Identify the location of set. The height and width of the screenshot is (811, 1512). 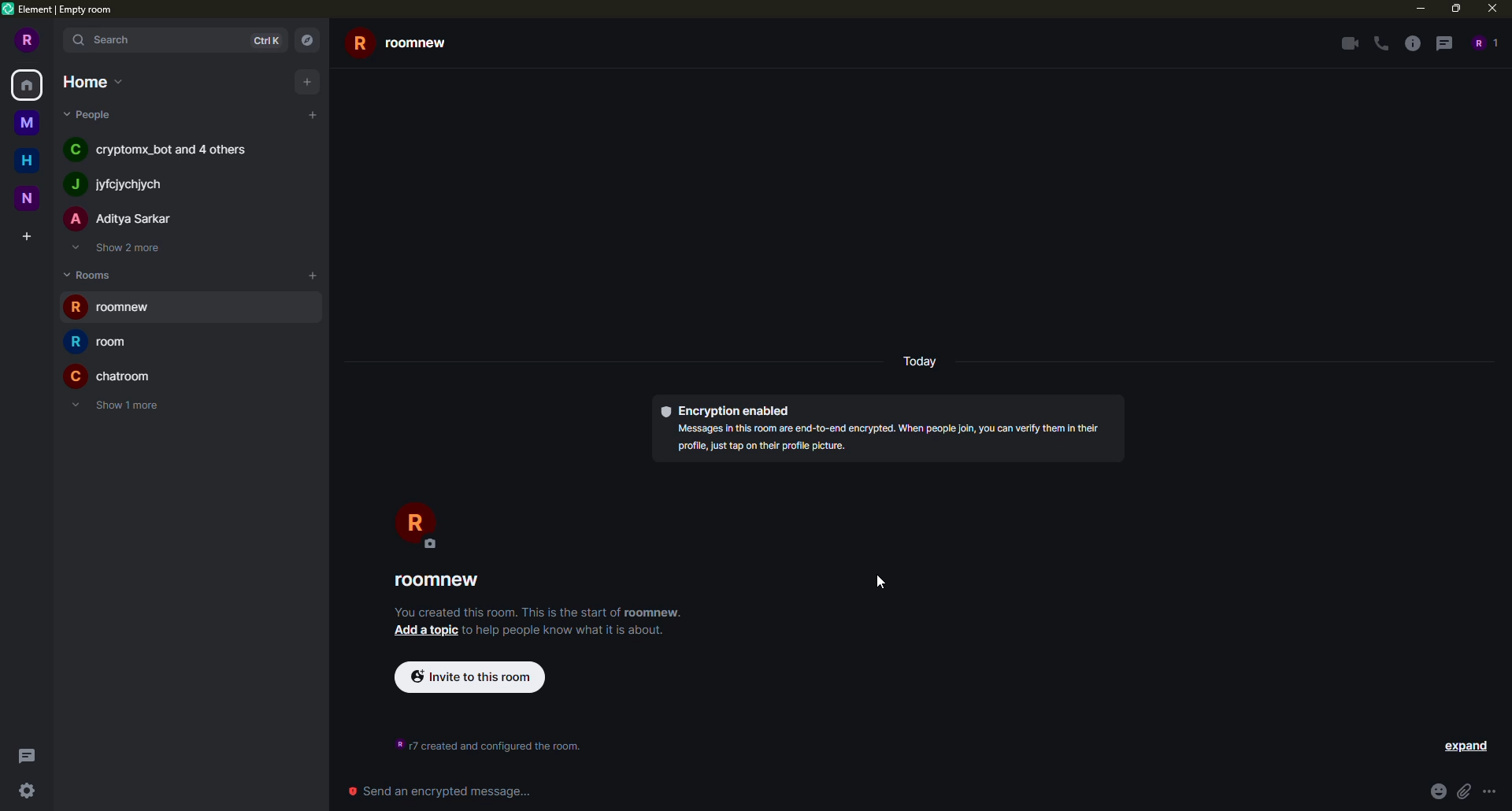
(1471, 743).